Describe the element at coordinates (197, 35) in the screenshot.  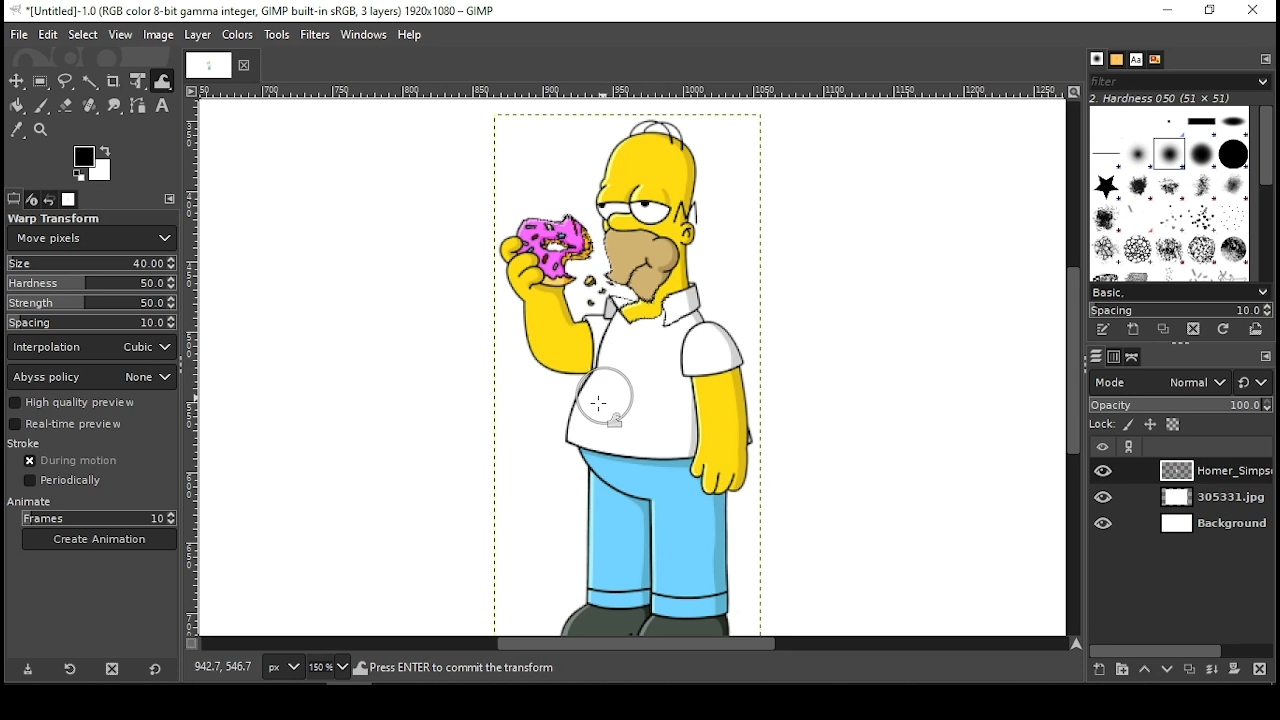
I see `layer` at that location.